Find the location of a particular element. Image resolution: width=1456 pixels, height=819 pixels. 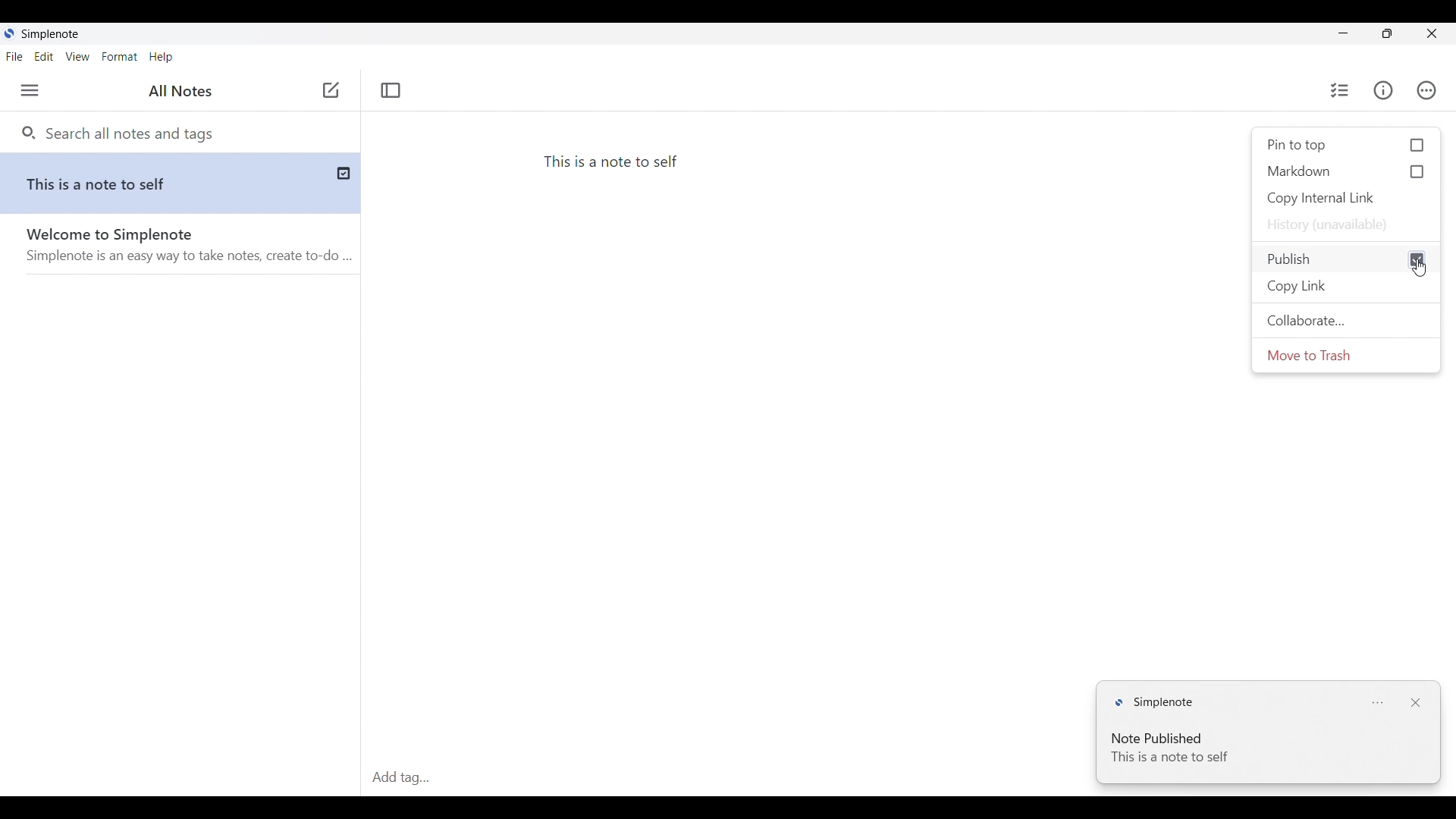

Search all notes and tags is located at coordinates (127, 132).